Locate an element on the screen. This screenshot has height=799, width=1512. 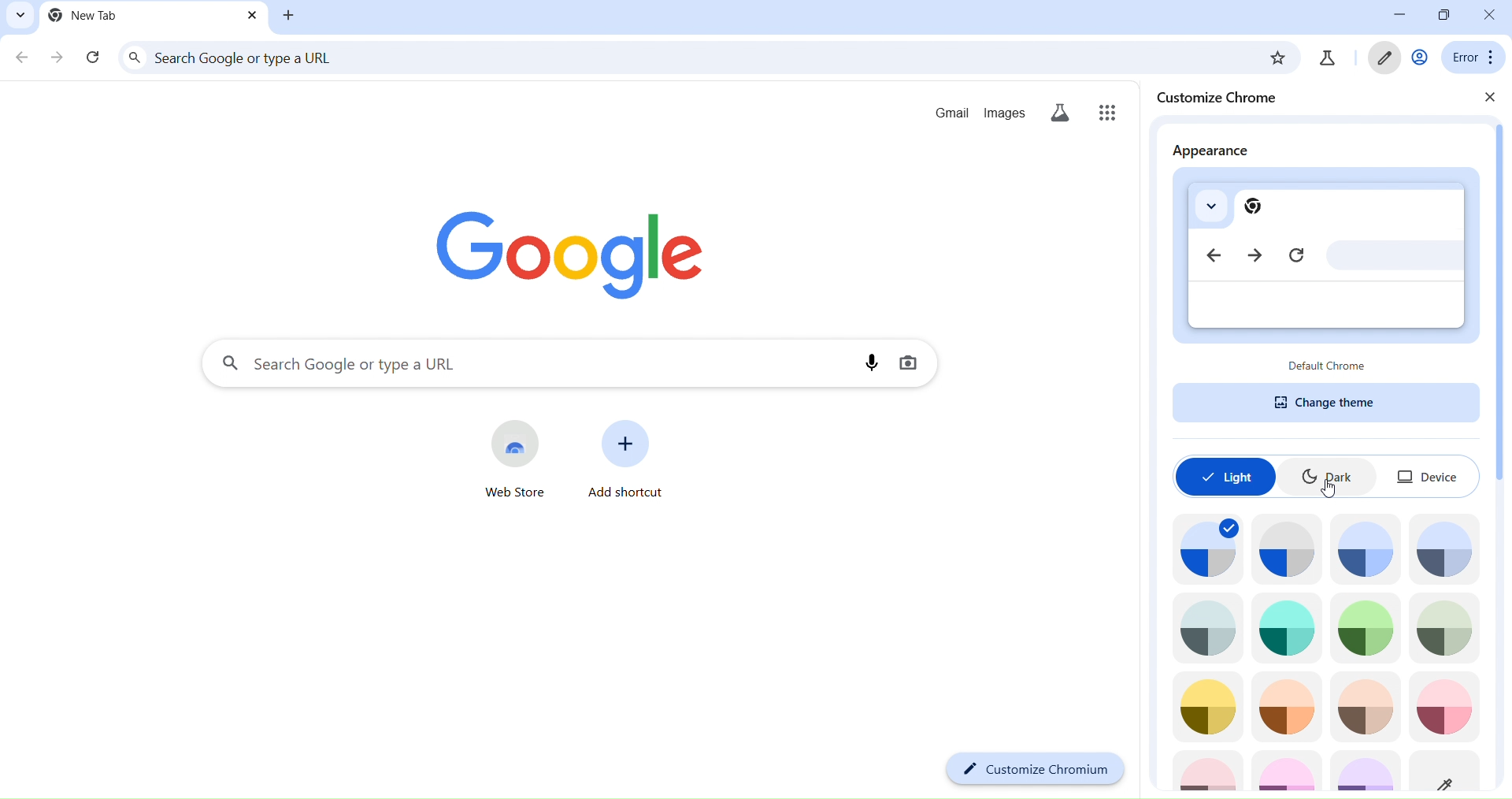
theme icon is located at coordinates (1287, 549).